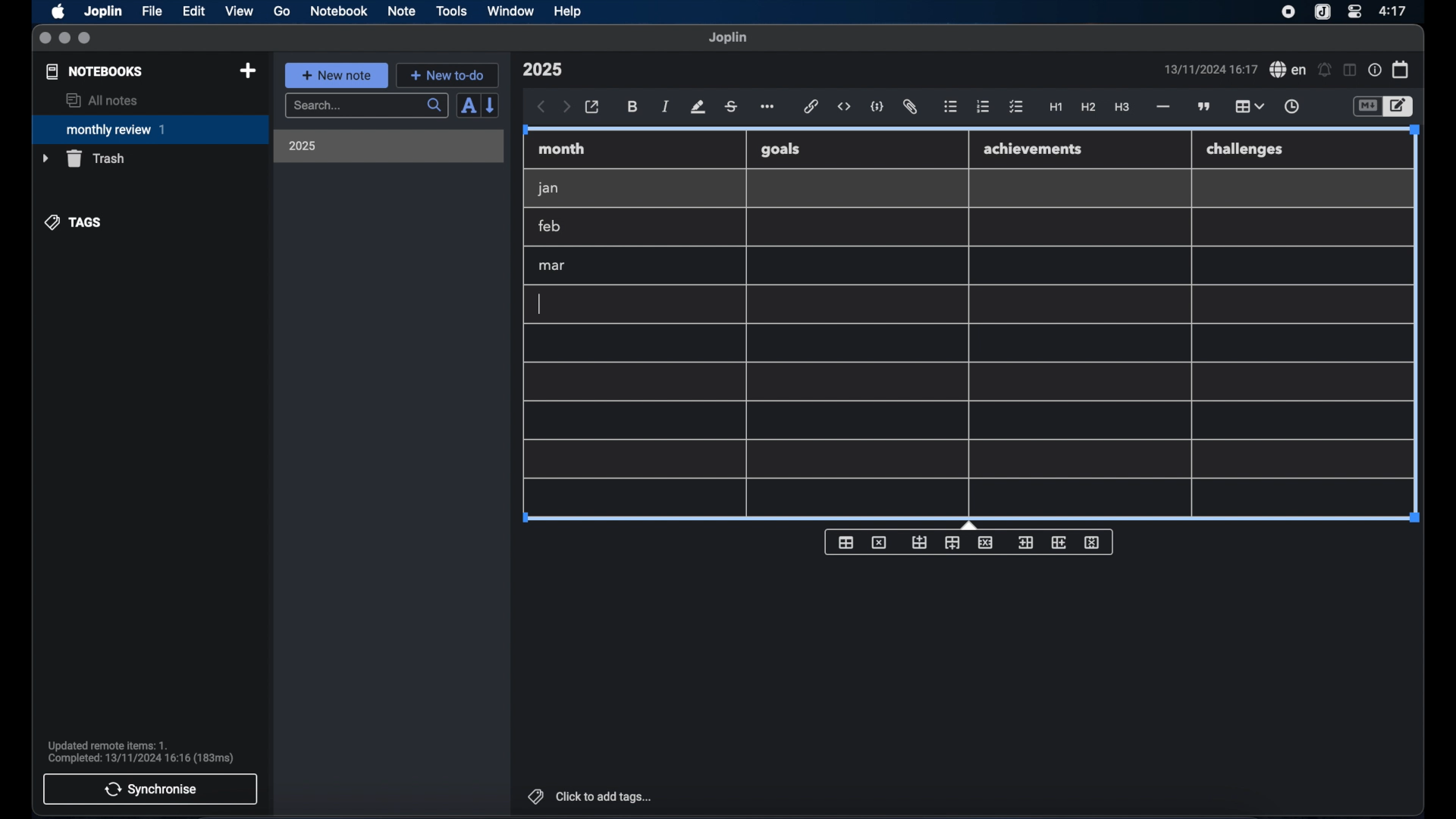 This screenshot has width=1456, height=819. I want to click on strikethrough, so click(730, 107).